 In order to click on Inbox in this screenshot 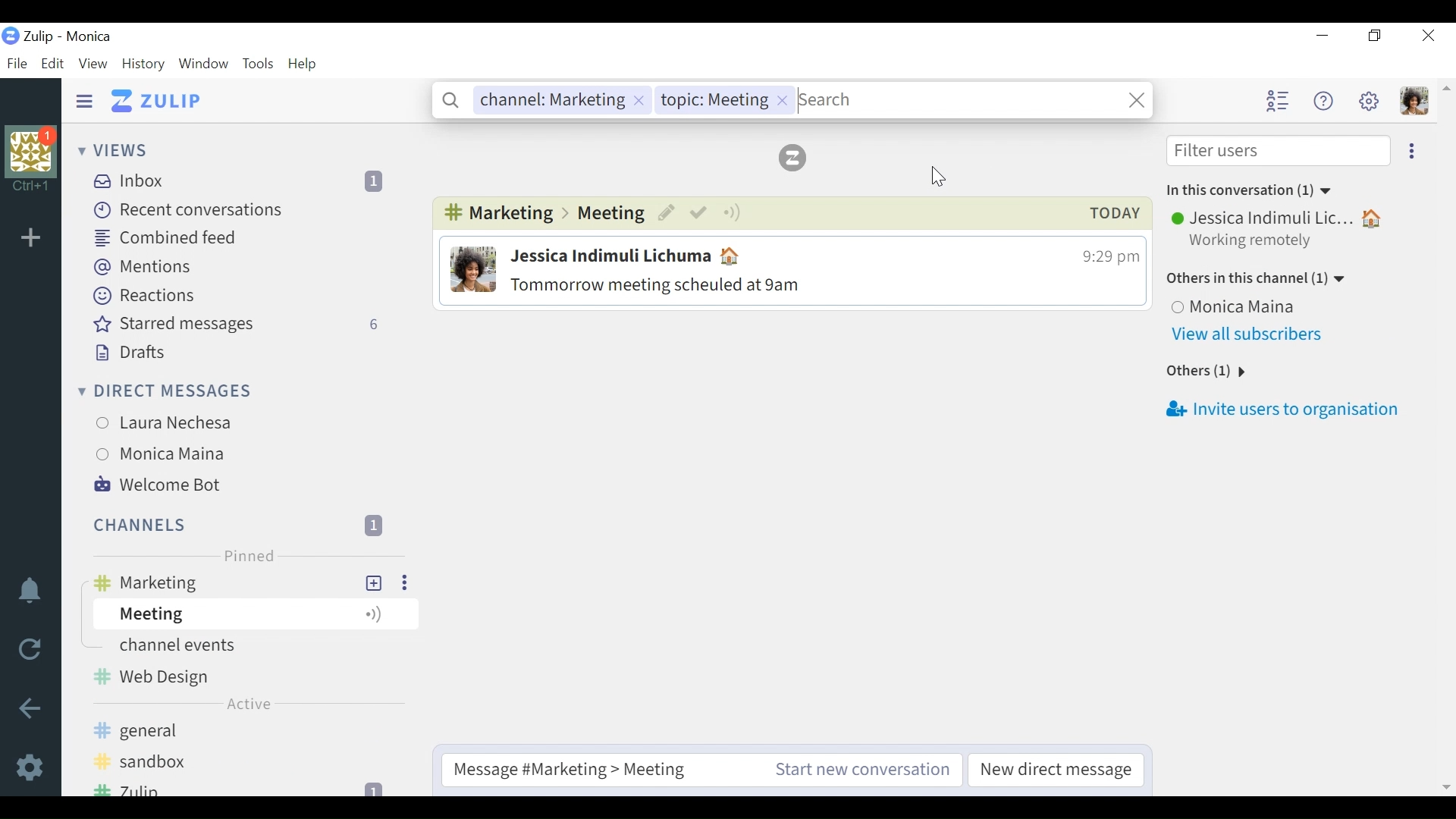, I will do `click(249, 180)`.